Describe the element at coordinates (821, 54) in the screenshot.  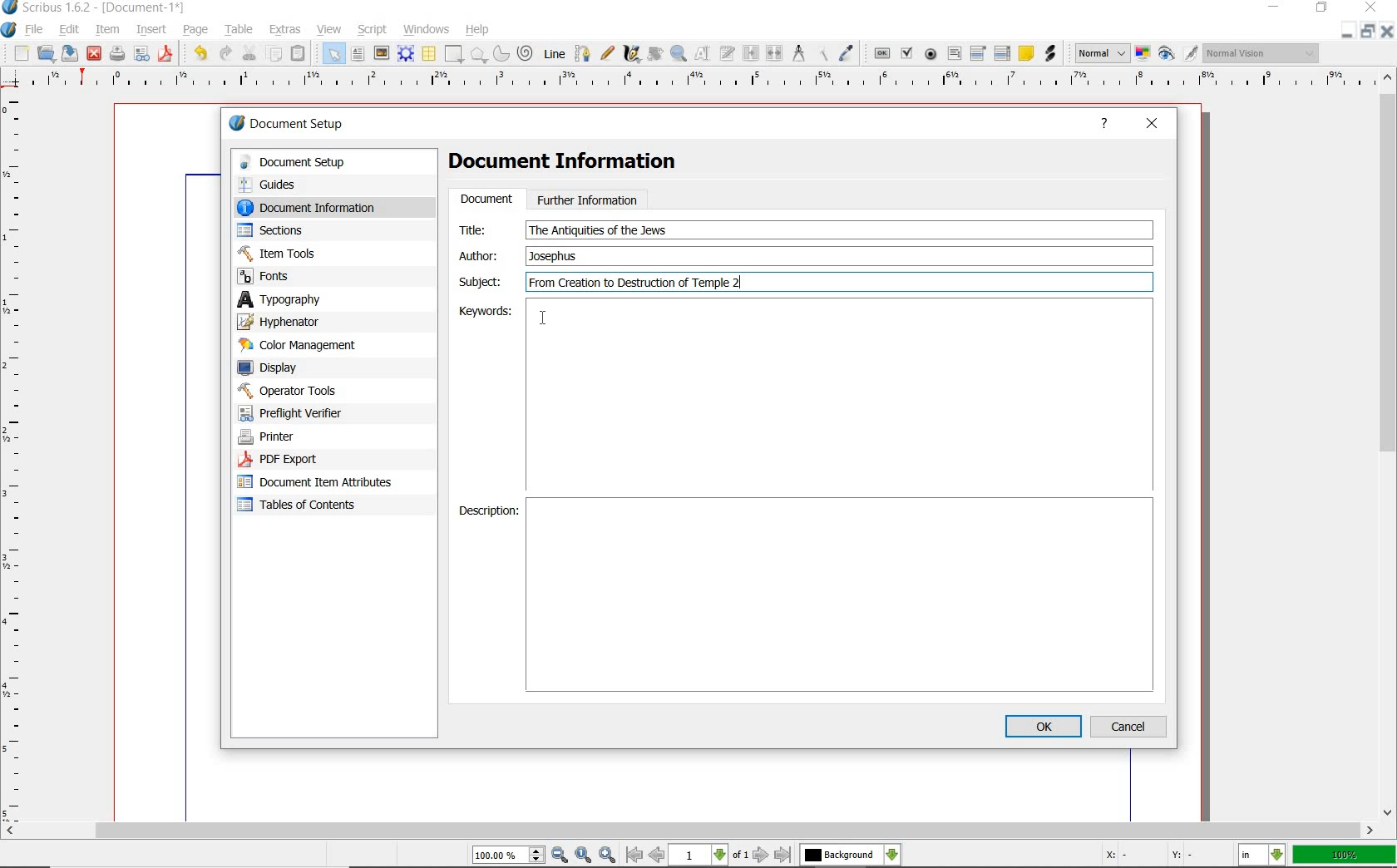
I see `copy item properties` at that location.